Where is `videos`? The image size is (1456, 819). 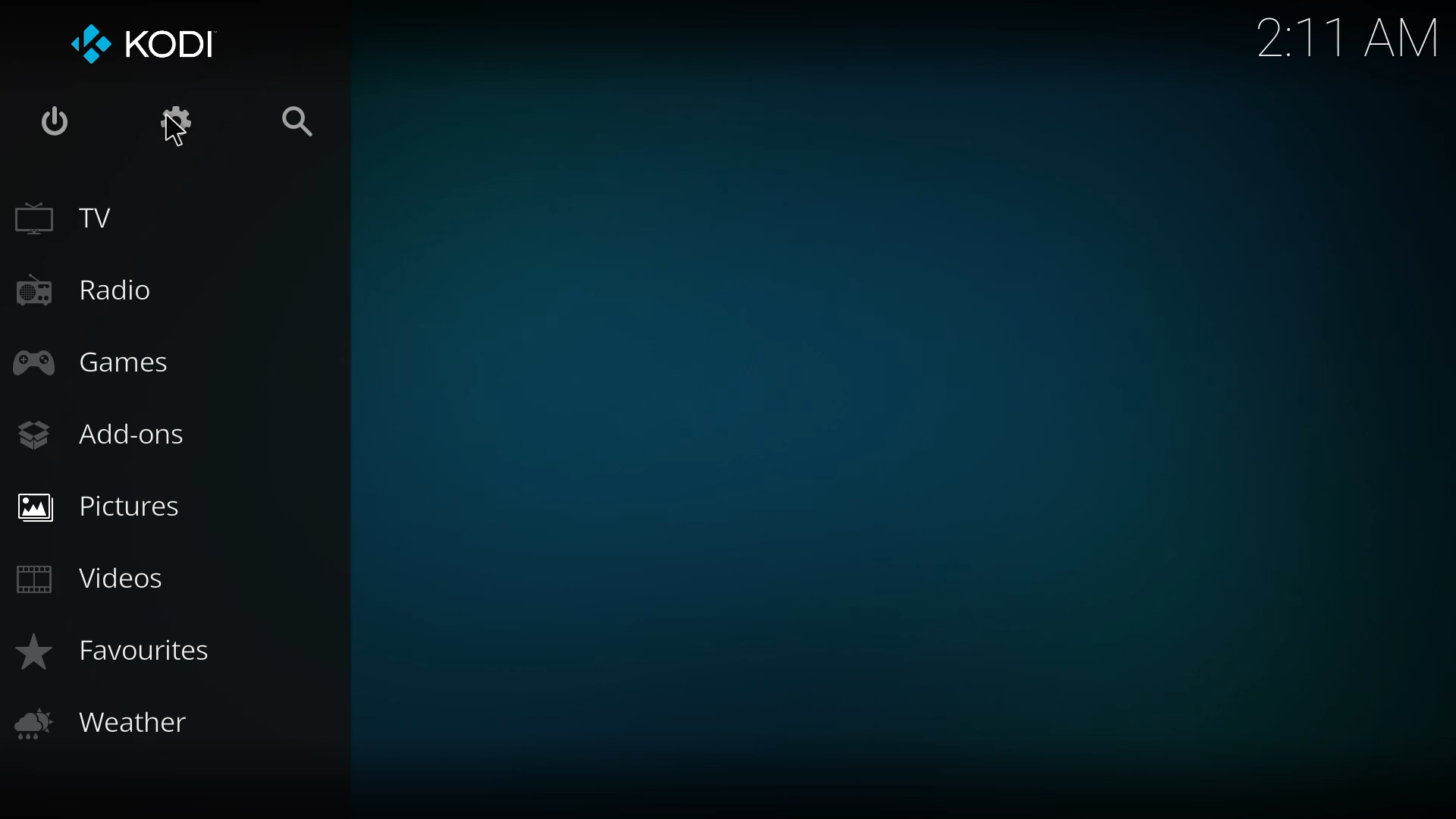 videos is located at coordinates (98, 579).